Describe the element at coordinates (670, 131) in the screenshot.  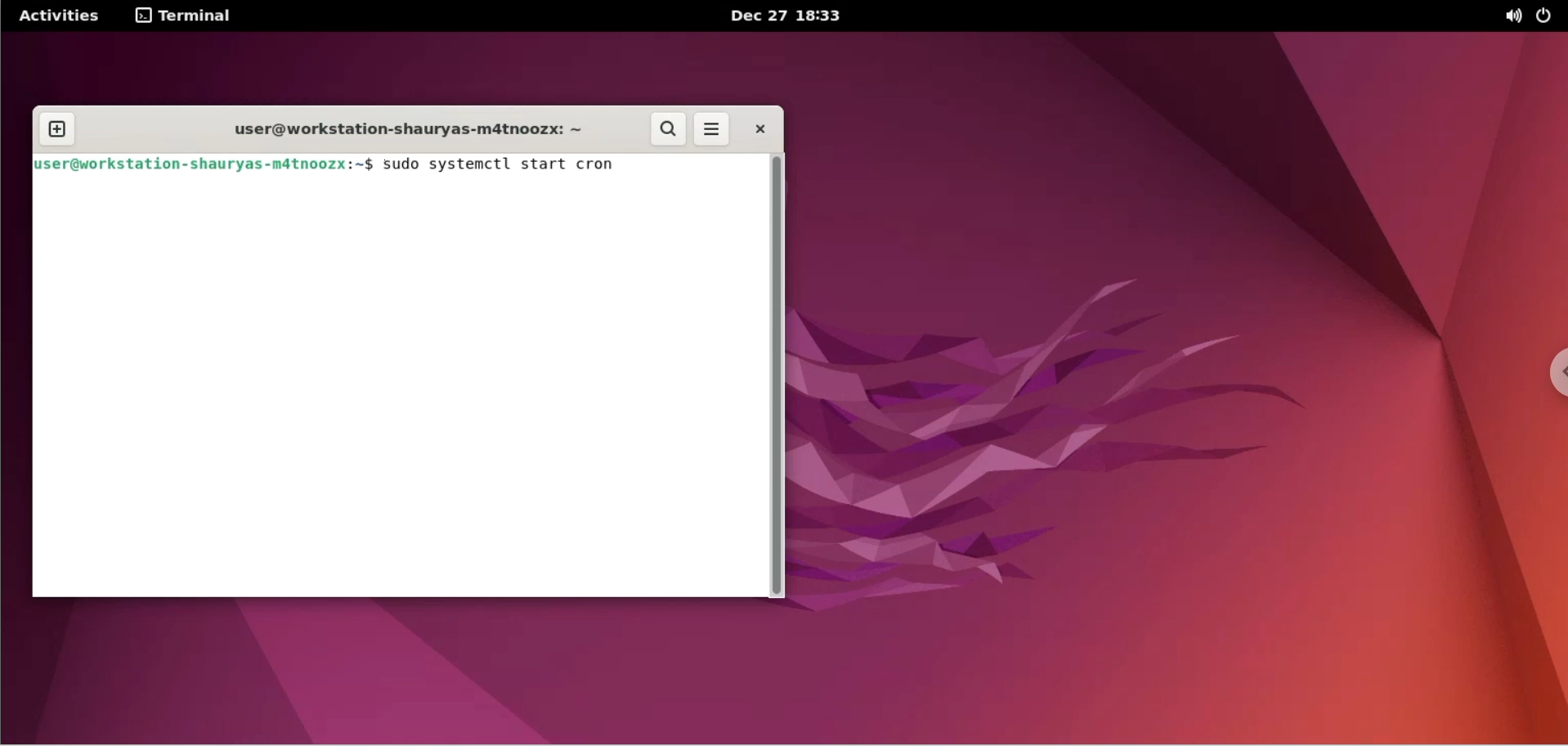
I see `search` at that location.